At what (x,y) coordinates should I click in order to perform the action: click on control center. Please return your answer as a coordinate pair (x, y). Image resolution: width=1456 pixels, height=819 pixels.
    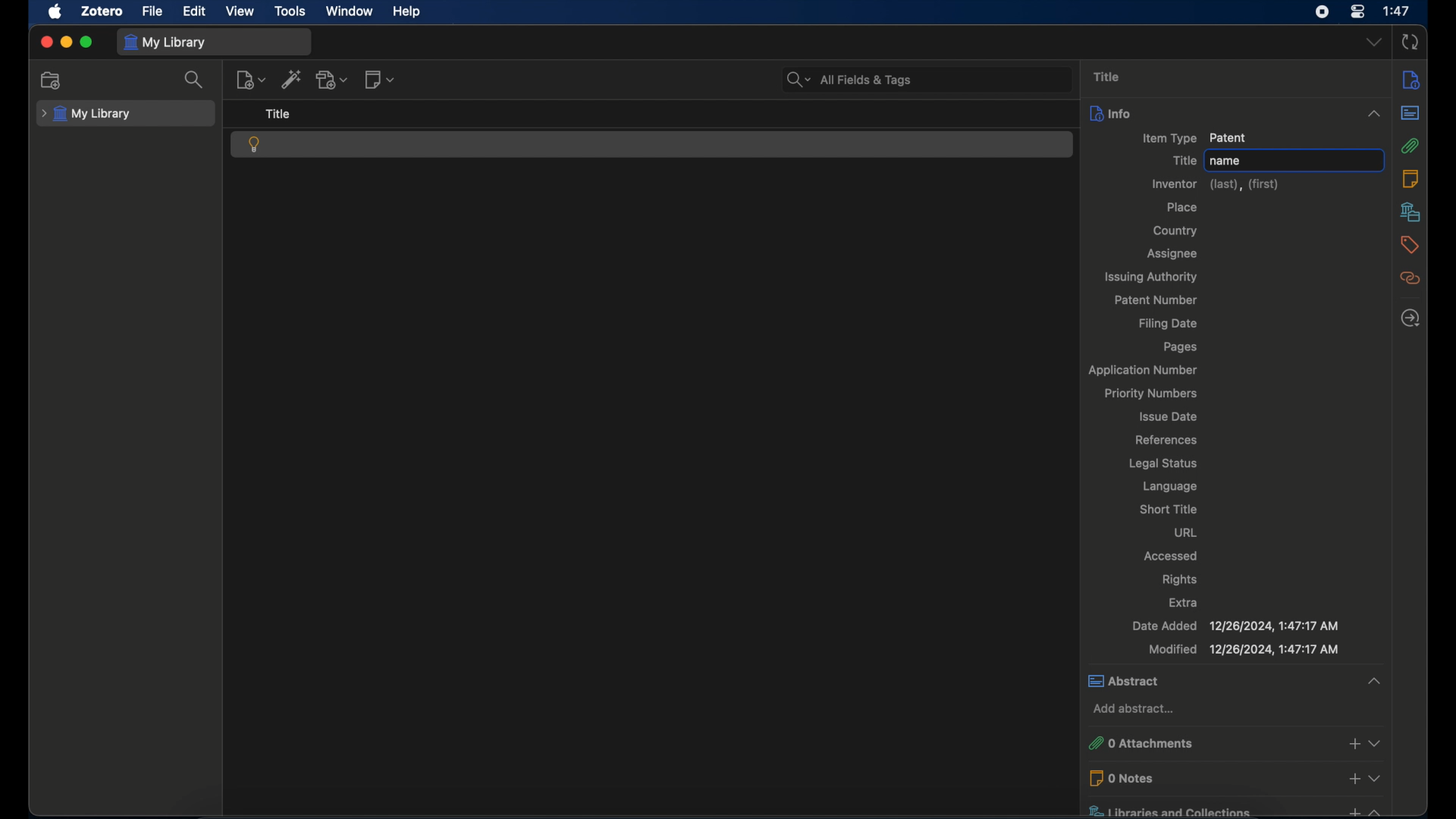
    Looking at the image, I should click on (1360, 11).